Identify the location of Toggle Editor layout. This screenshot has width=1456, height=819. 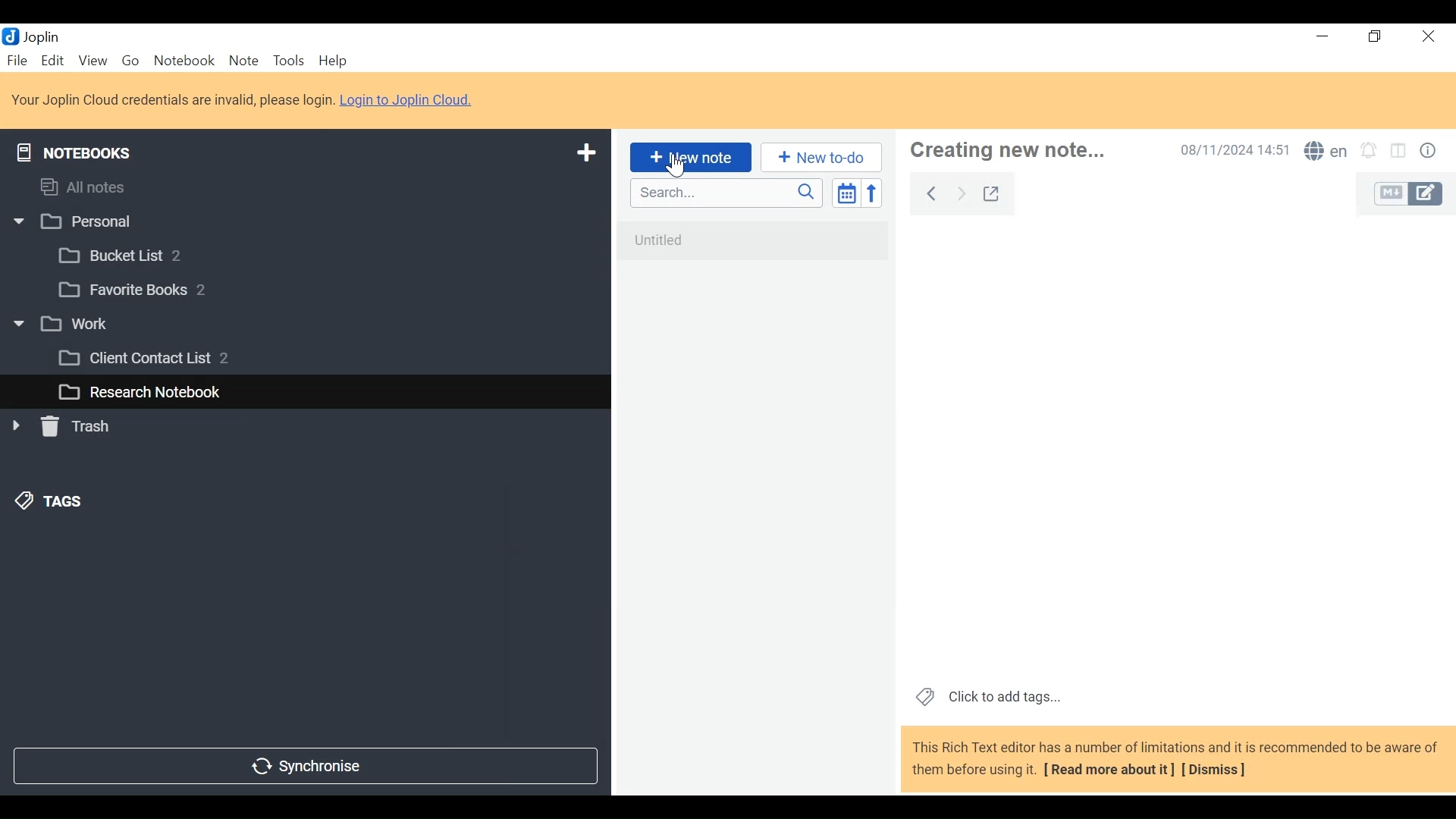
(1399, 152).